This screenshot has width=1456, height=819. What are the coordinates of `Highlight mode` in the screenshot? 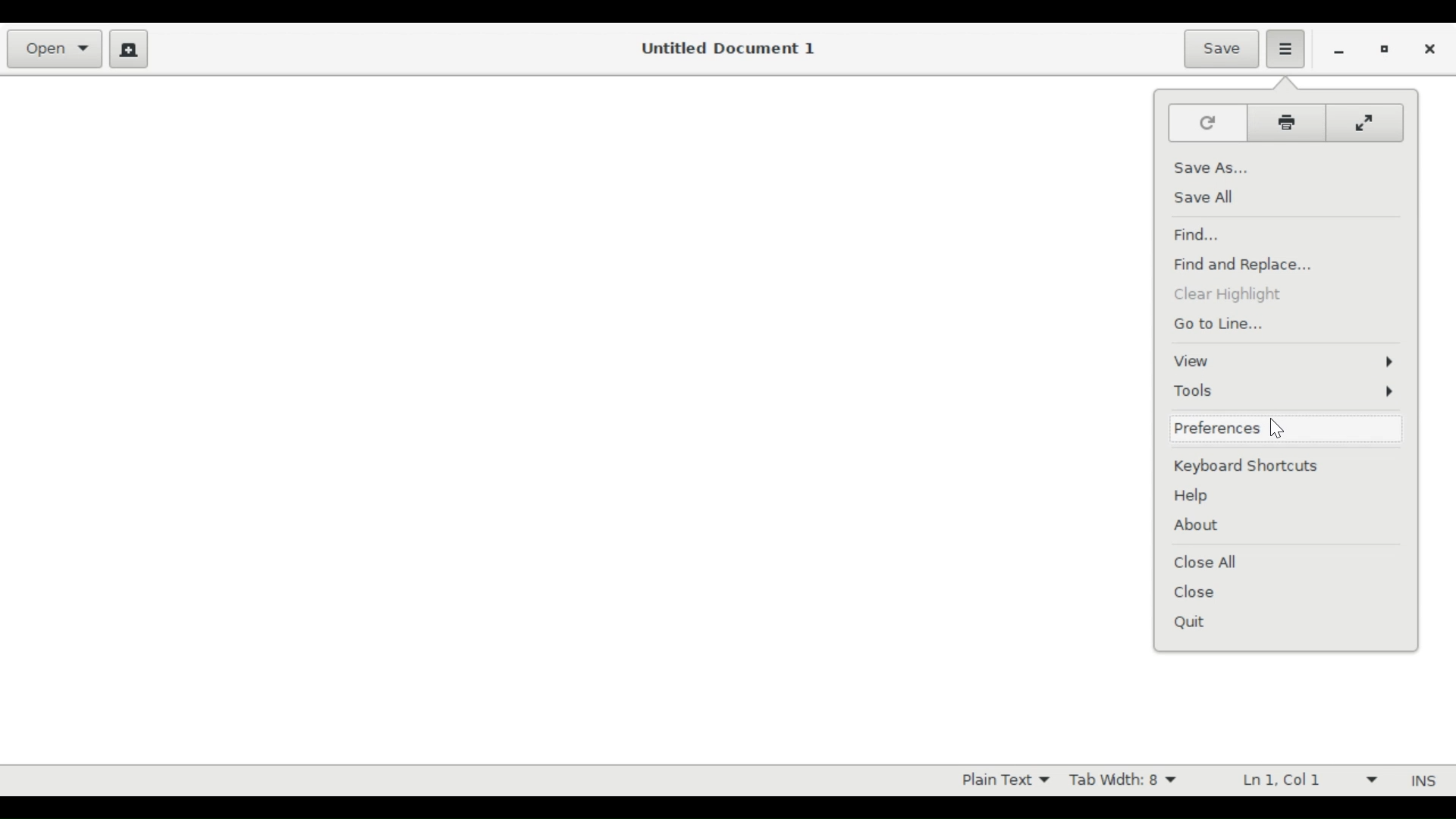 It's located at (1002, 779).